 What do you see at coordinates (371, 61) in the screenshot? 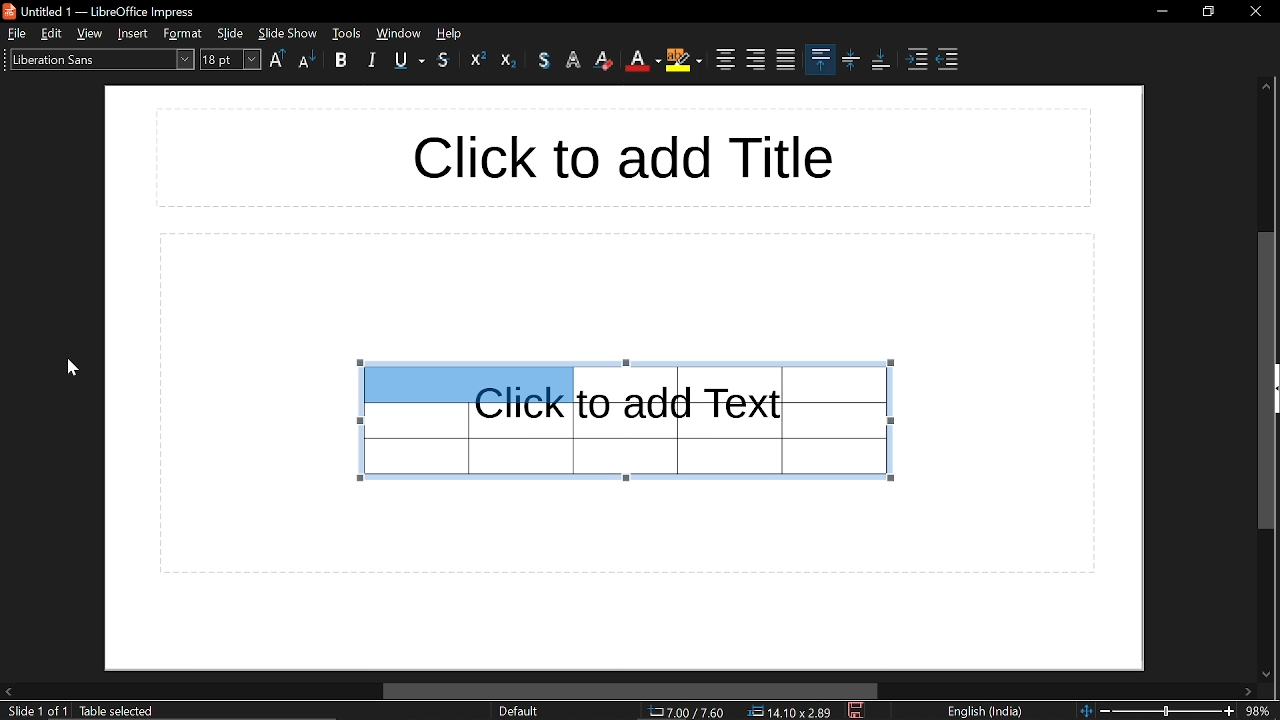
I see `italic` at bounding box center [371, 61].